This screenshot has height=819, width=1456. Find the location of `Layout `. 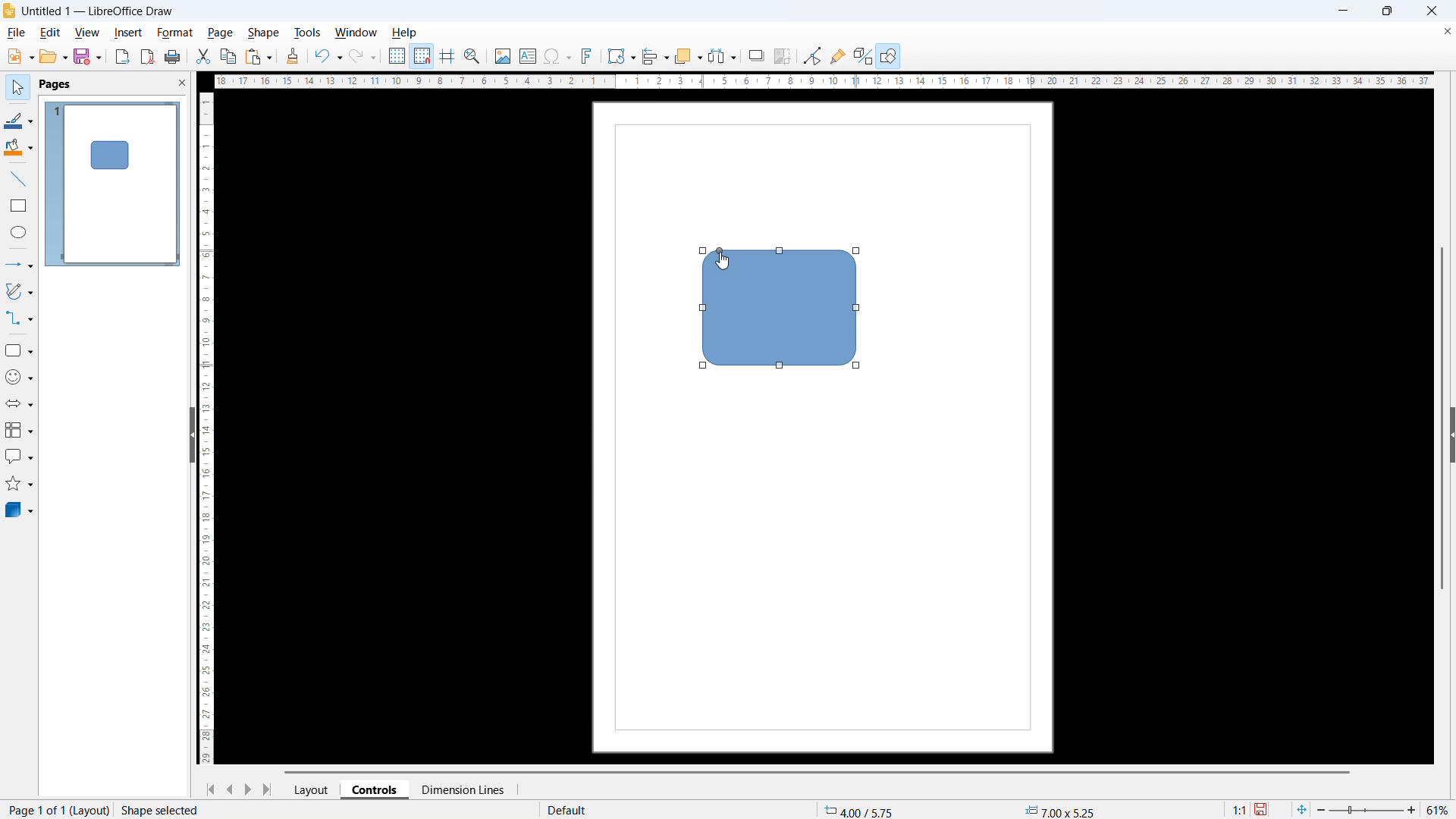

Layout  is located at coordinates (313, 789).